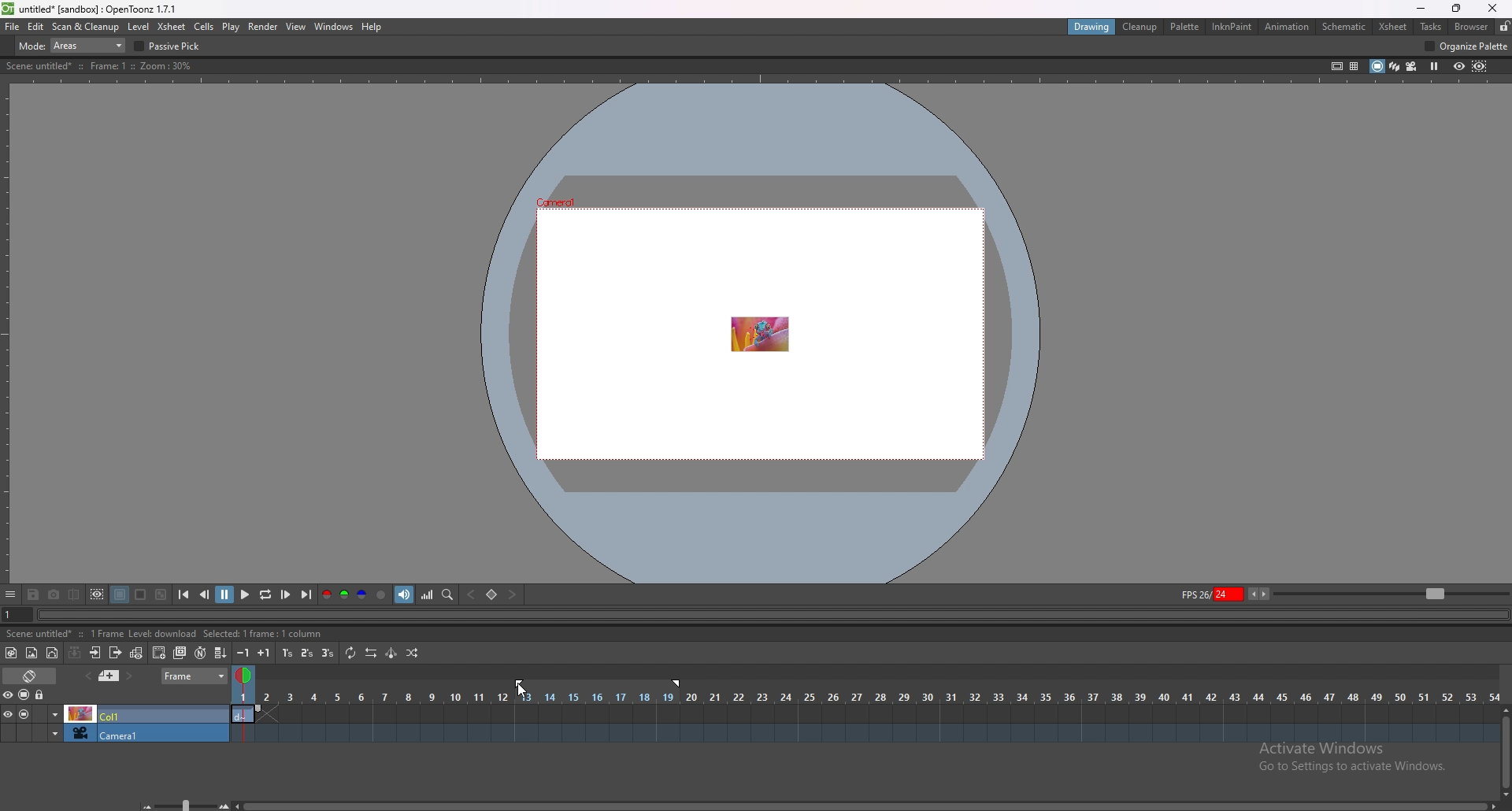 The width and height of the screenshot is (1512, 811). I want to click on inknpaint, so click(1232, 26).